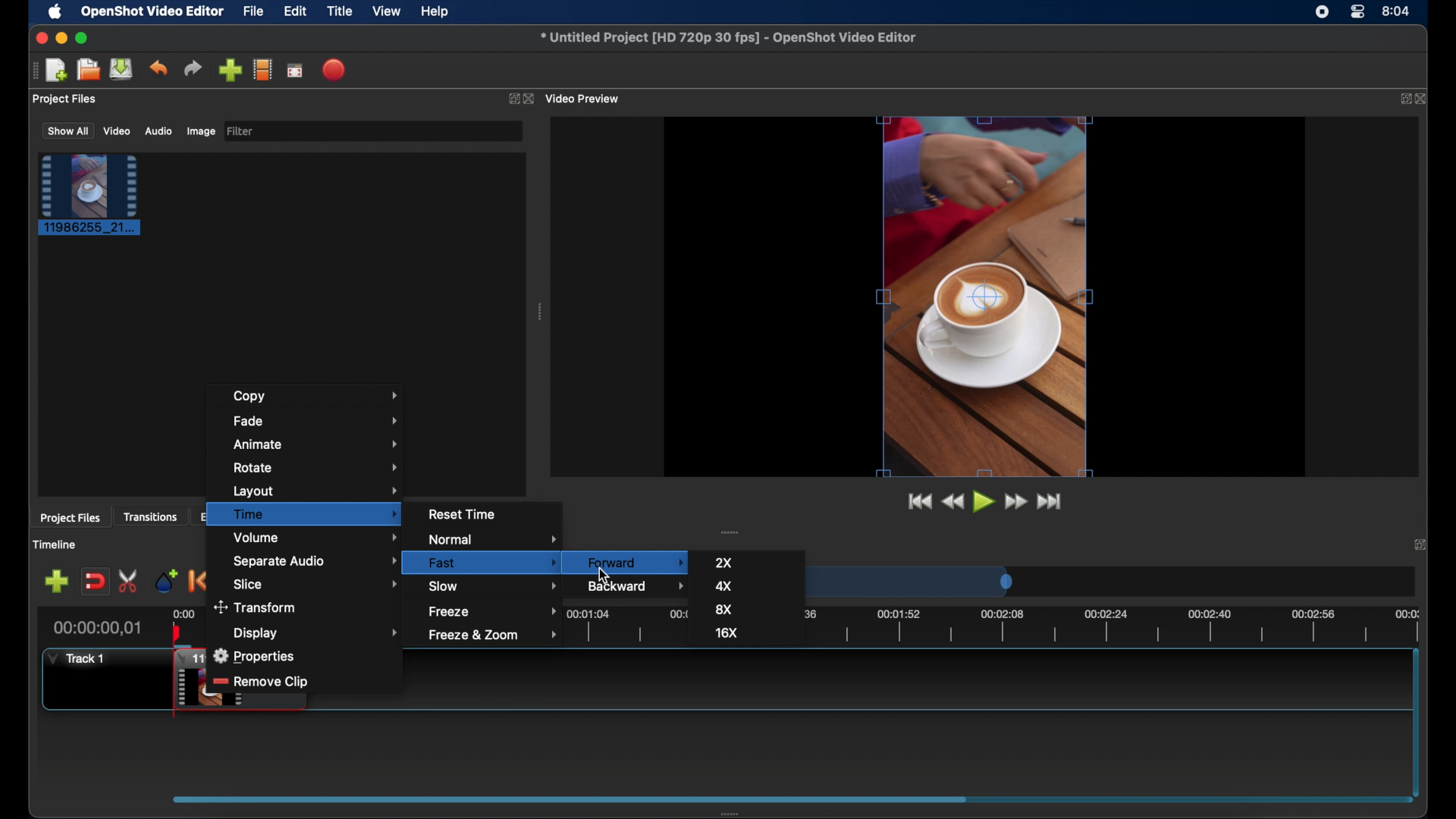  Describe the element at coordinates (464, 513) in the screenshot. I see `reset time` at that location.